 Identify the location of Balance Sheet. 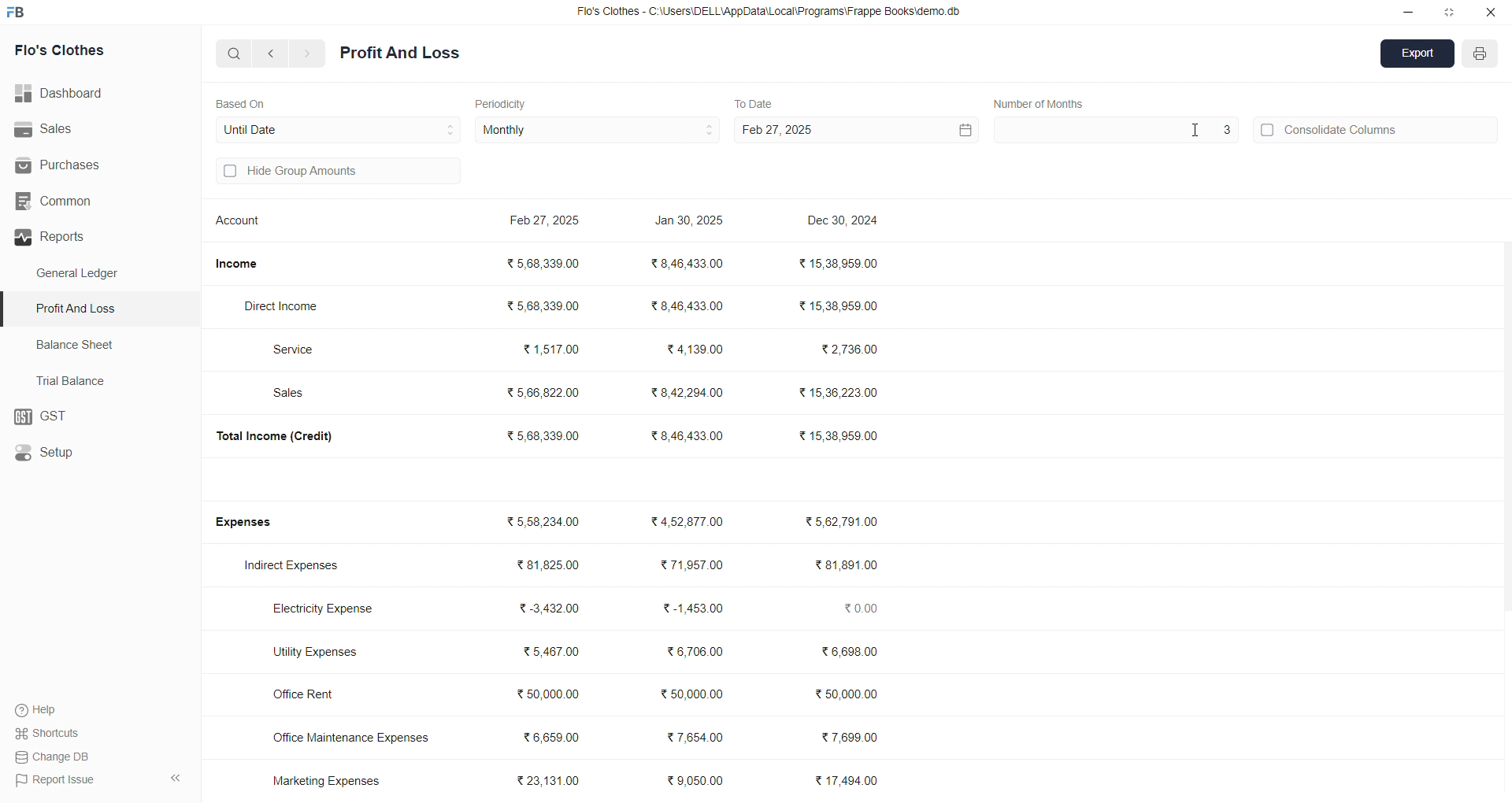
(77, 343).